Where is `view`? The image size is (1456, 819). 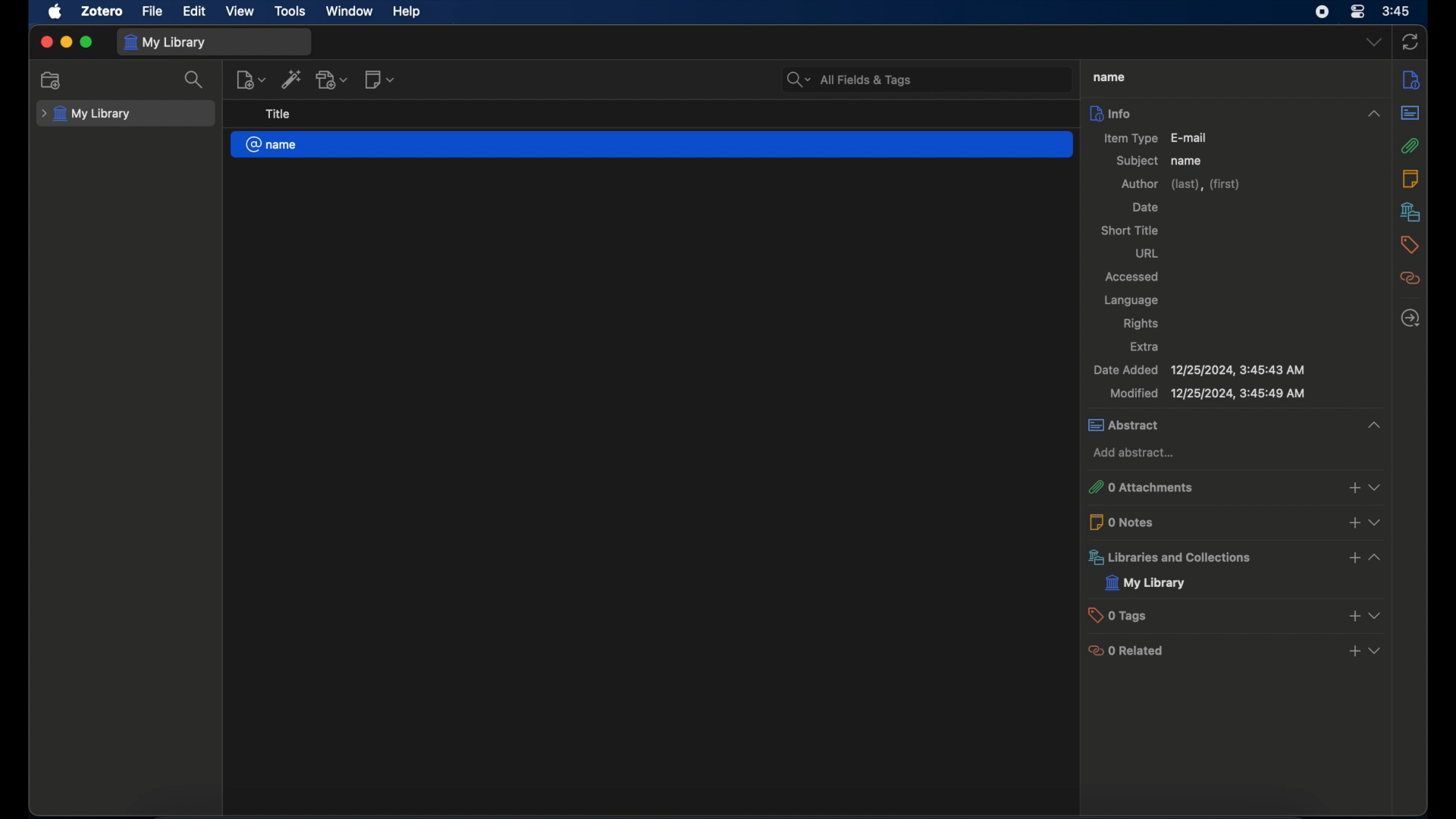 view is located at coordinates (240, 11).